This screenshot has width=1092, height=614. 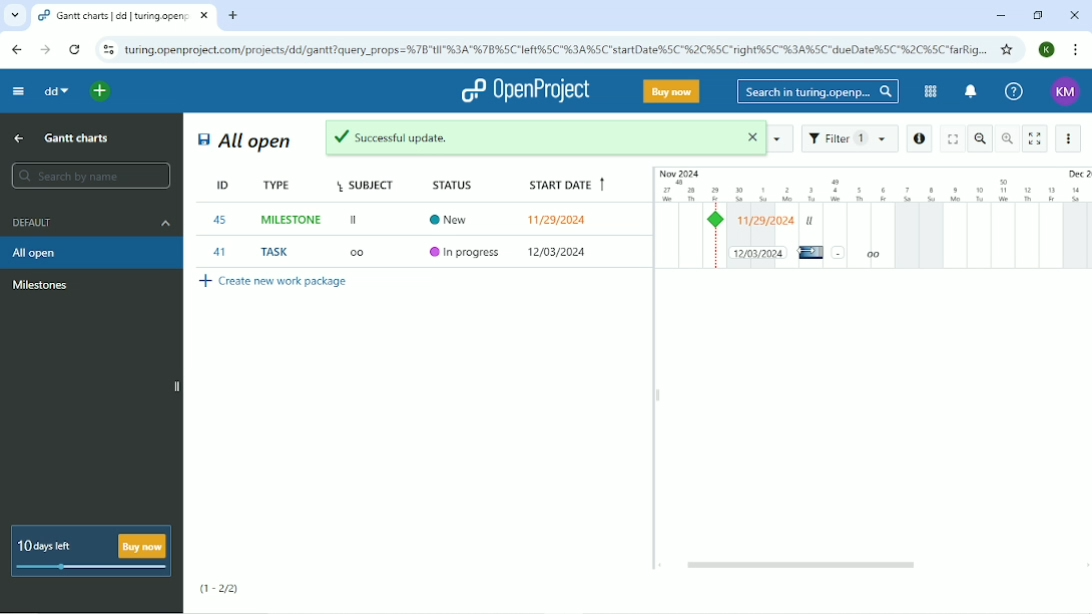 What do you see at coordinates (1067, 93) in the screenshot?
I see `Account` at bounding box center [1067, 93].